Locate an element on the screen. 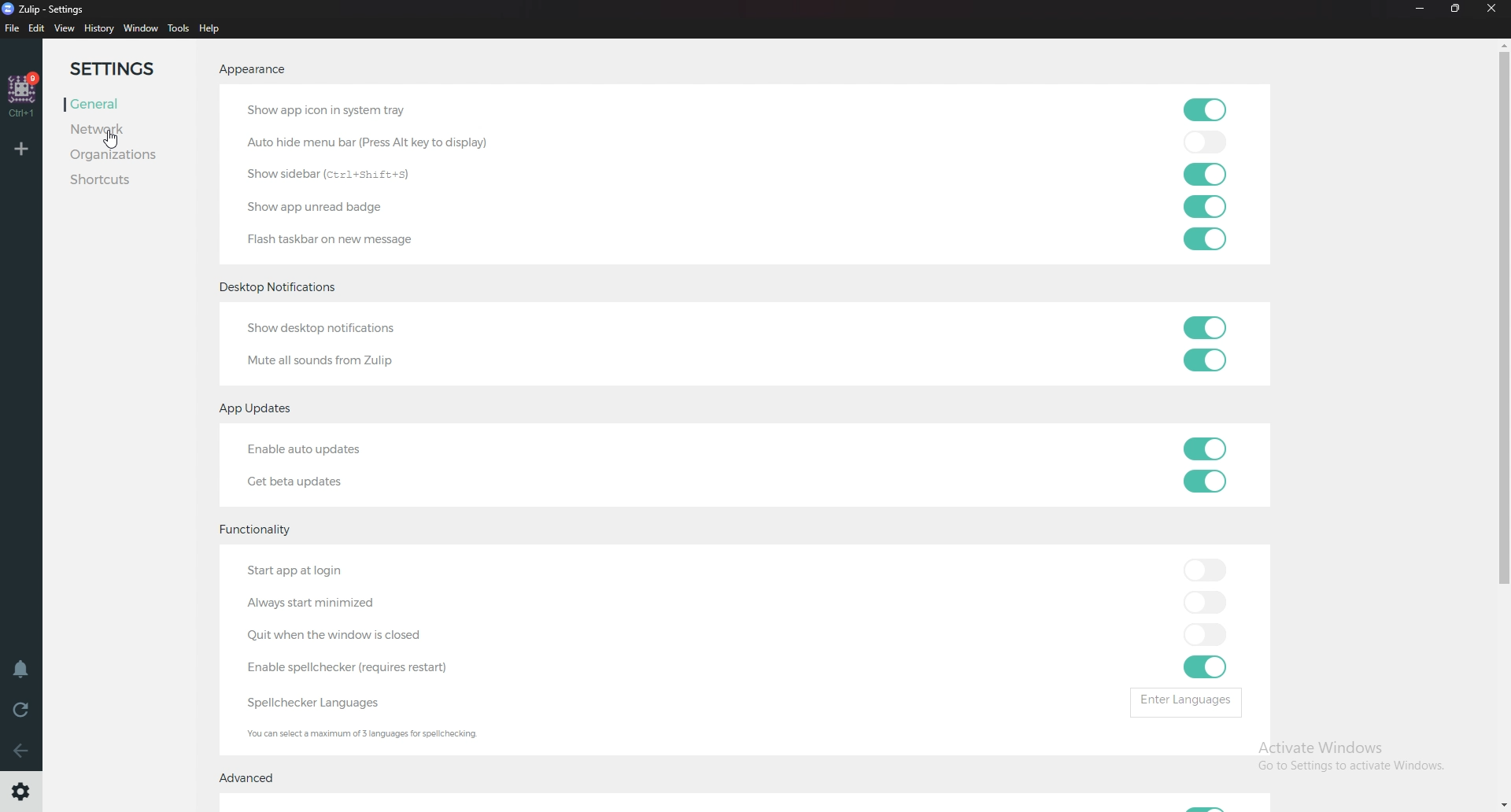 This screenshot has width=1511, height=812. history is located at coordinates (98, 29).